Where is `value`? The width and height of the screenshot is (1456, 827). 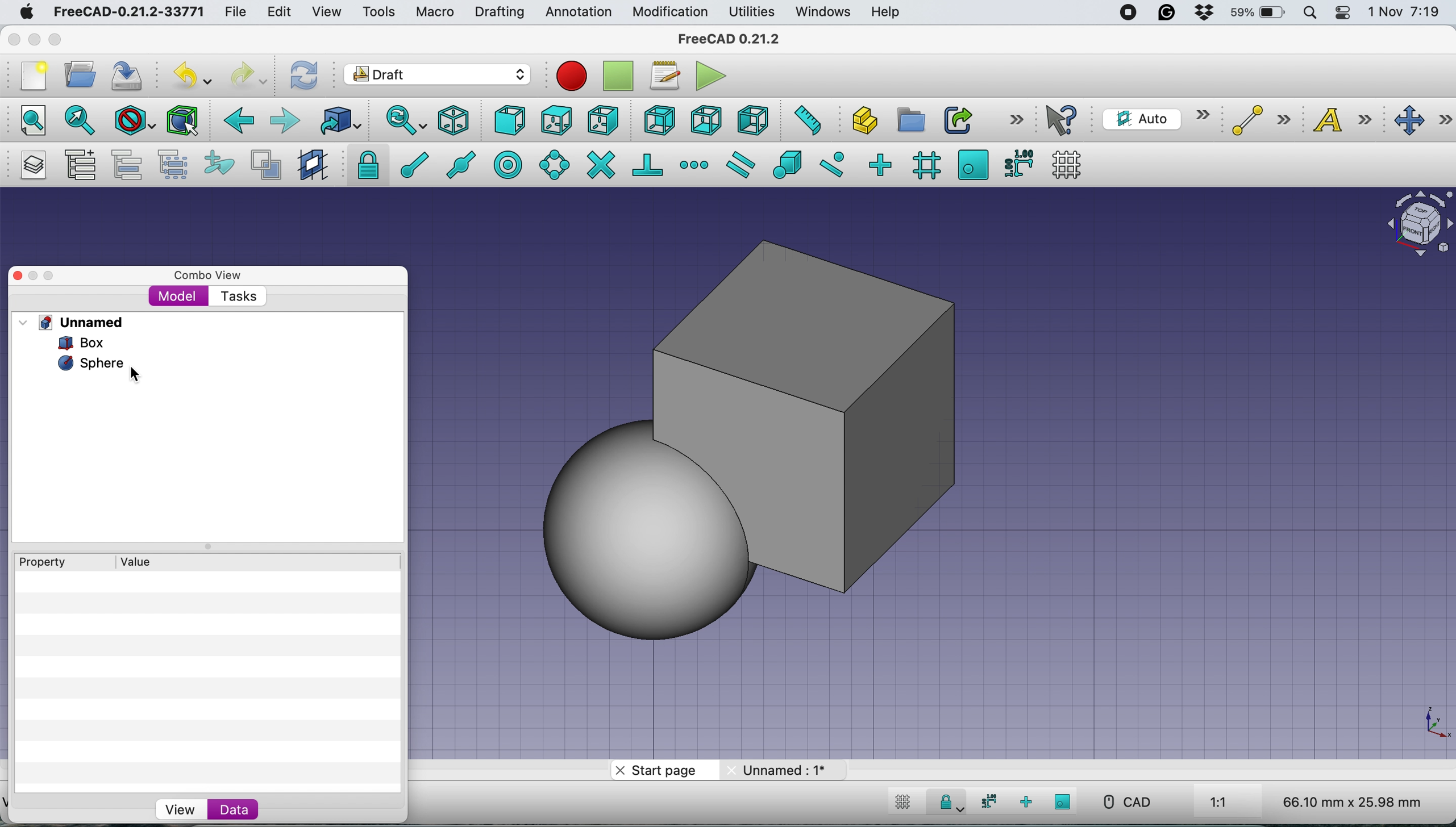
value is located at coordinates (147, 561).